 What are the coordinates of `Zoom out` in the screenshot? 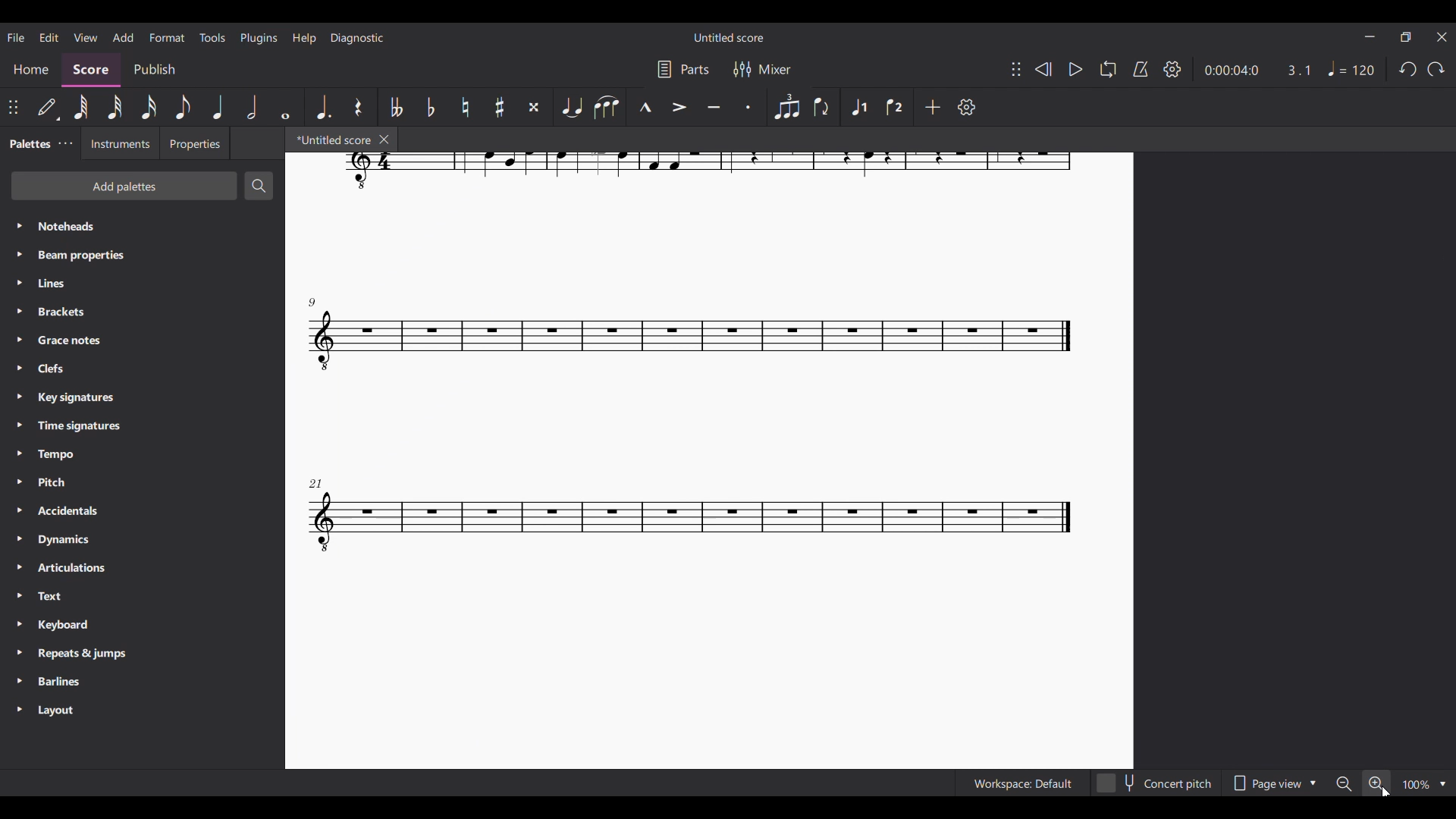 It's located at (1344, 784).